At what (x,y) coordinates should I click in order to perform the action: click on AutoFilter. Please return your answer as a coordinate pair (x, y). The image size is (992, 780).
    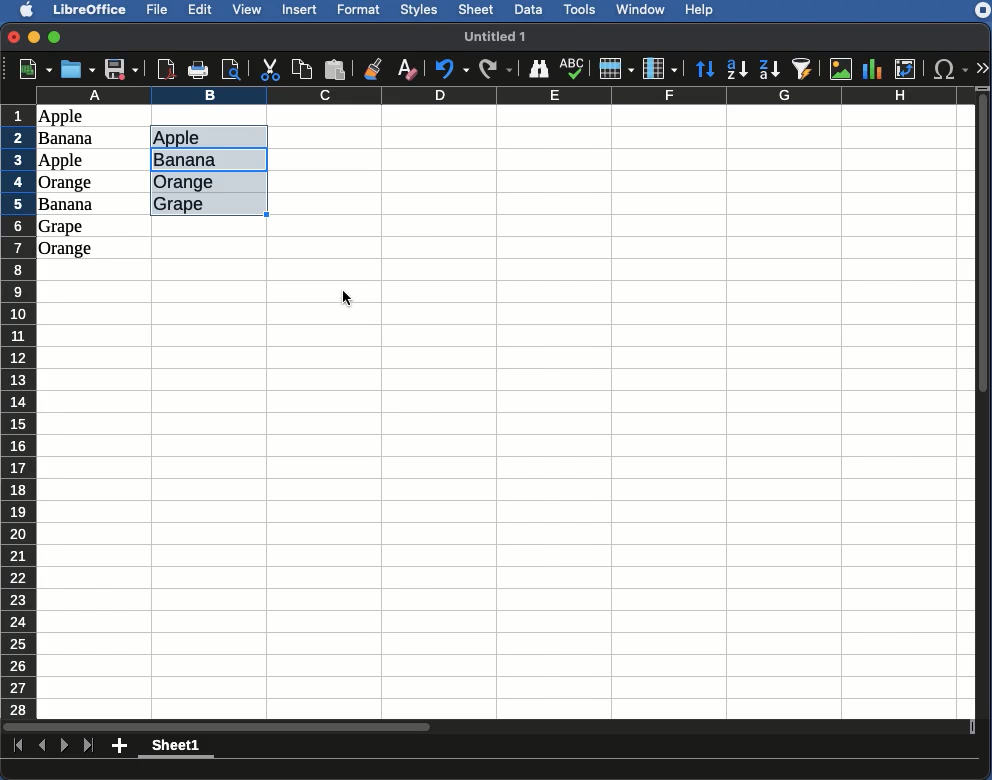
    Looking at the image, I should click on (802, 68).